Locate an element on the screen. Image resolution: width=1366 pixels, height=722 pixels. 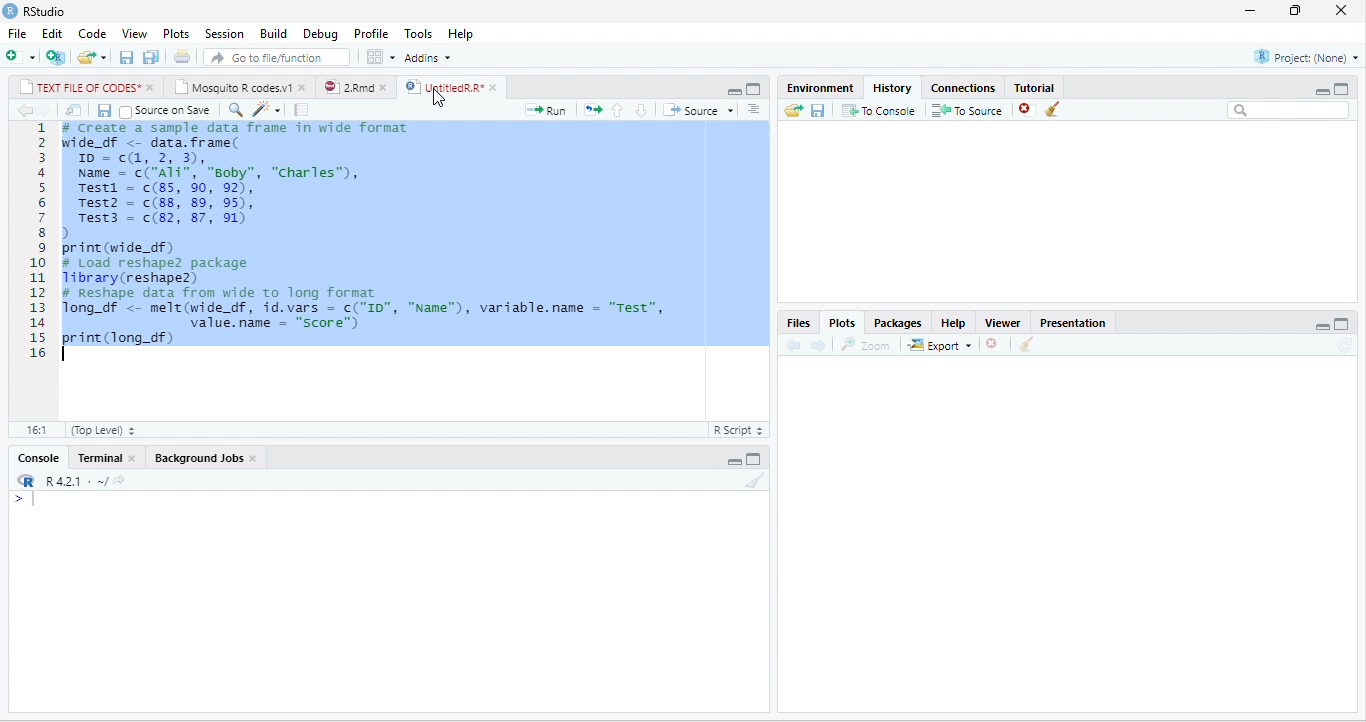
open folder is located at coordinates (794, 110).